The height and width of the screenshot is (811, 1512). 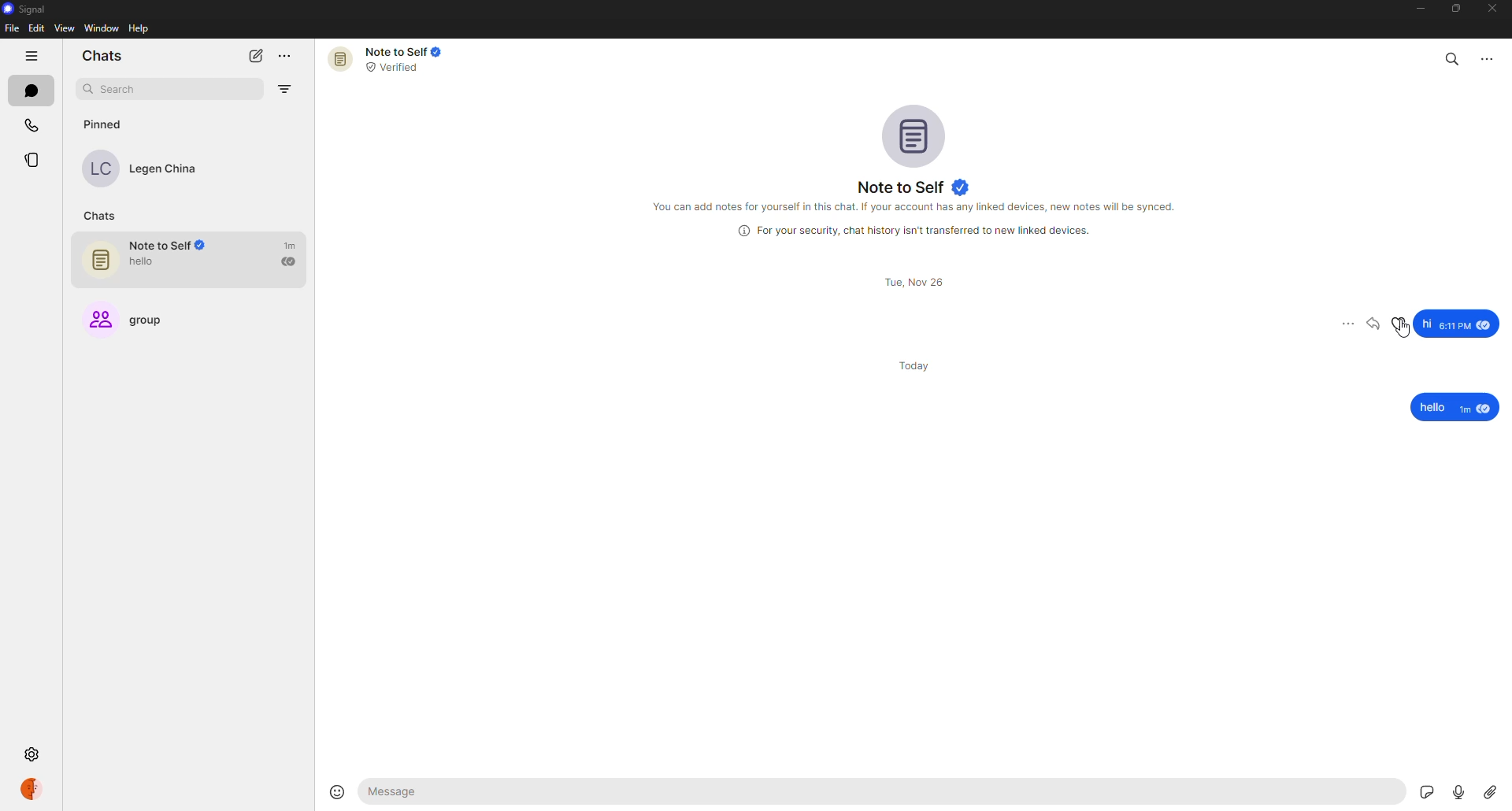 I want to click on note to self, so click(x=917, y=187).